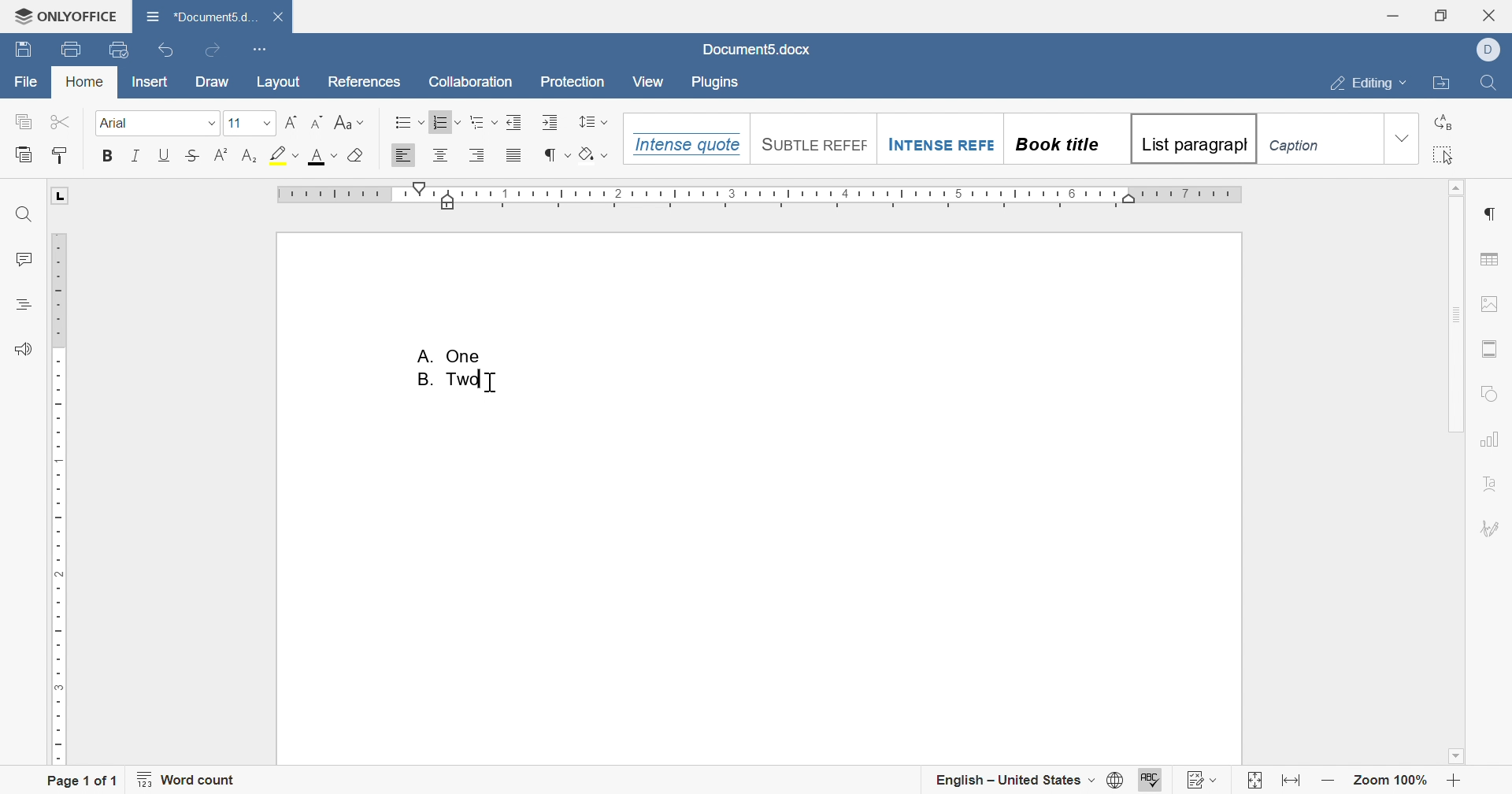 This screenshot has height=794, width=1512. I want to click on find, so click(1495, 83).